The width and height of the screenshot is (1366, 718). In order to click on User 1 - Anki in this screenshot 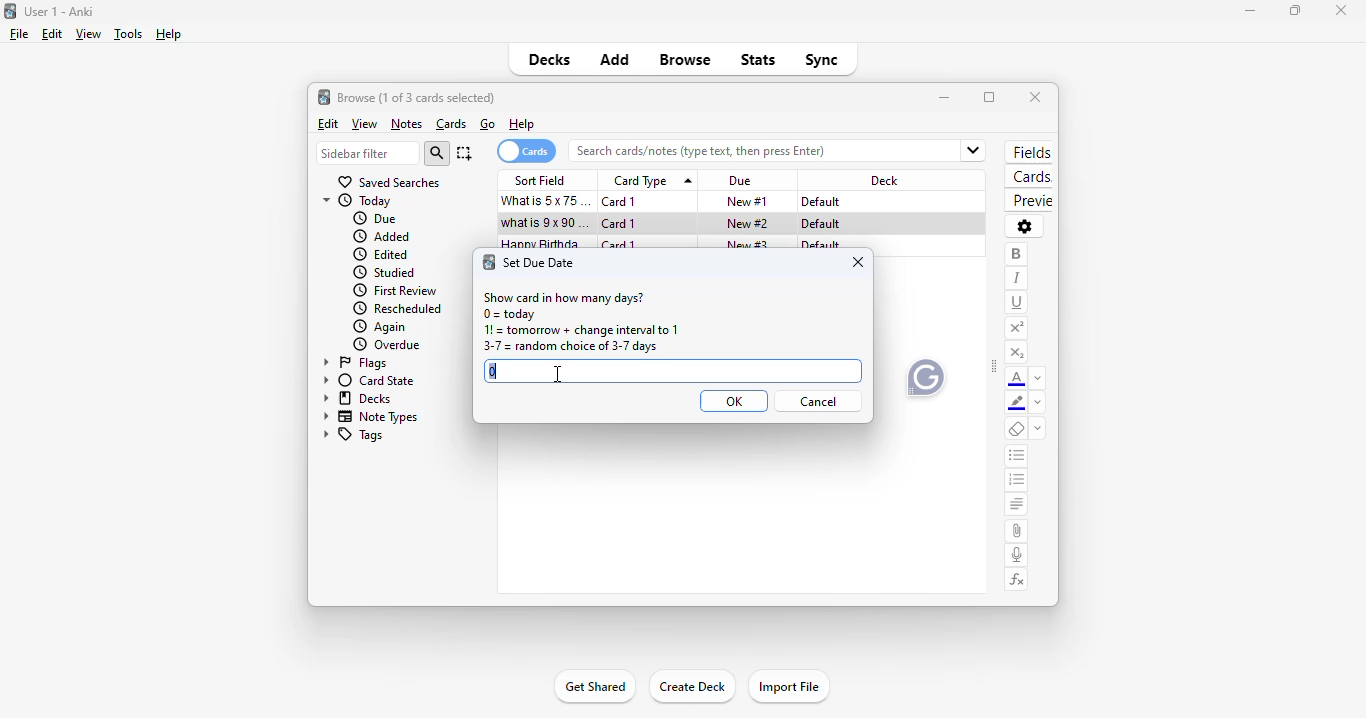, I will do `click(59, 11)`.